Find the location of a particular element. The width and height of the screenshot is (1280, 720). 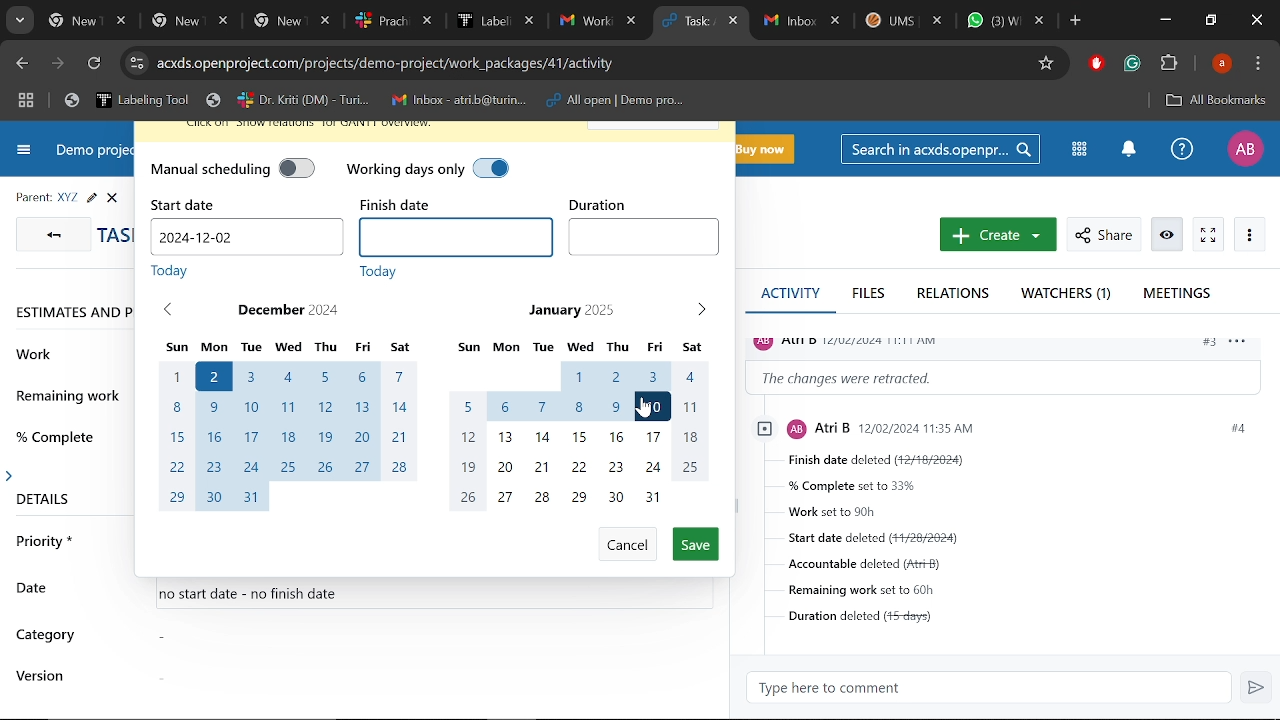

Tab groups is located at coordinates (28, 100).